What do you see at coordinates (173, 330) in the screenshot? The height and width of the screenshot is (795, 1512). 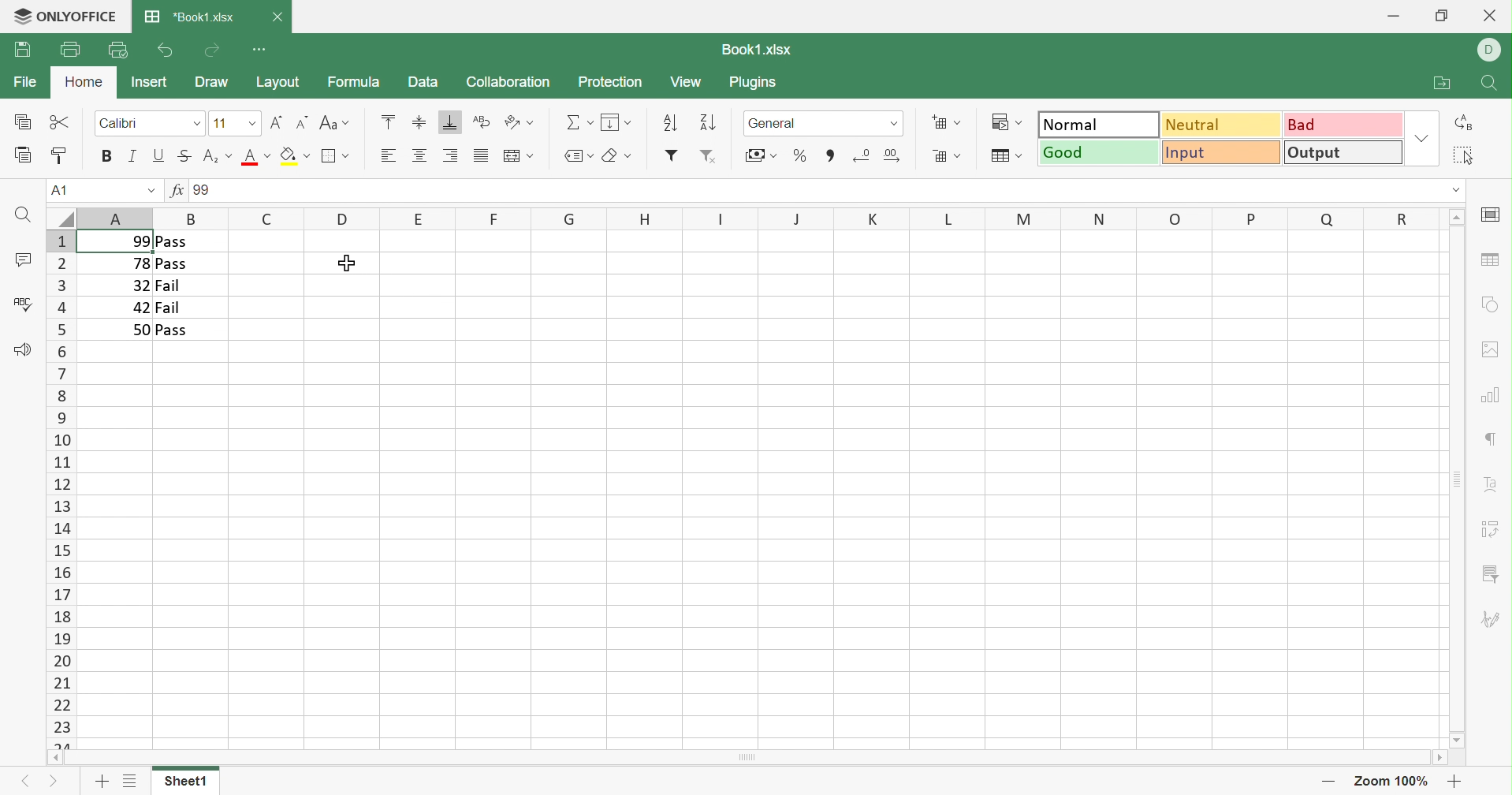 I see `Pass` at bounding box center [173, 330].